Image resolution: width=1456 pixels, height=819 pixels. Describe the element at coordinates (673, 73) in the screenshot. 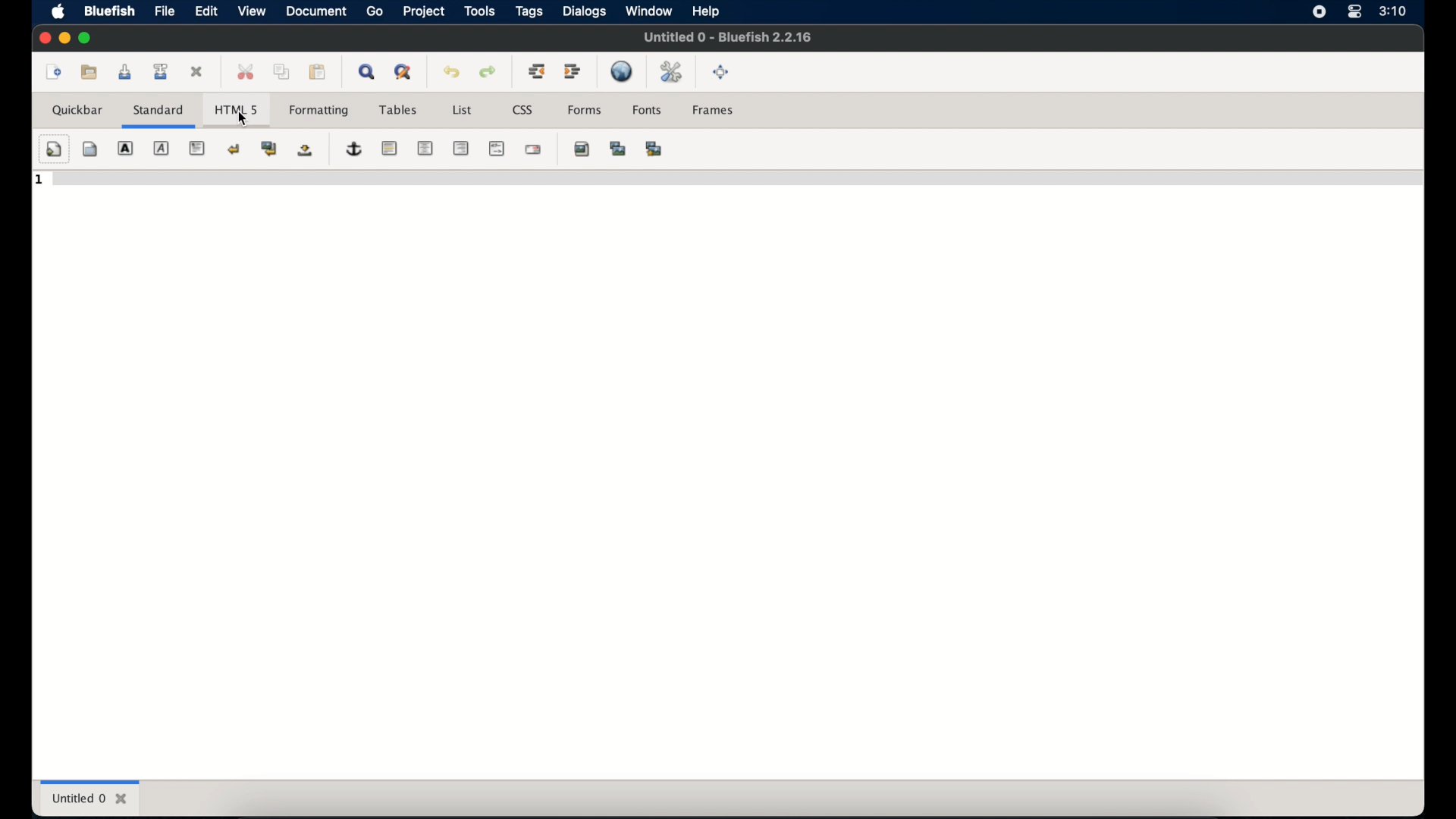

I see `edit preferences` at that location.